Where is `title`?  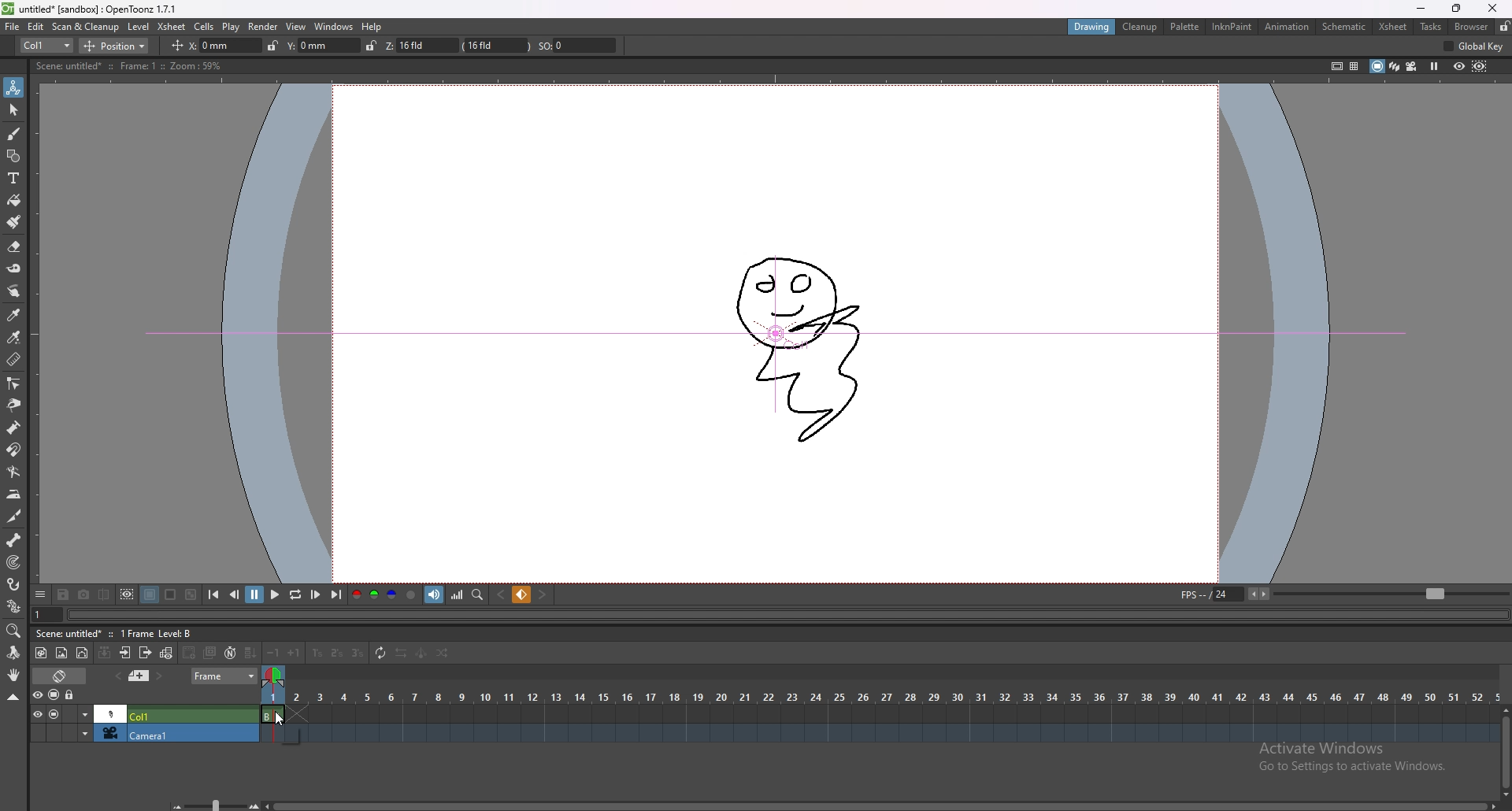 title is located at coordinates (93, 9).